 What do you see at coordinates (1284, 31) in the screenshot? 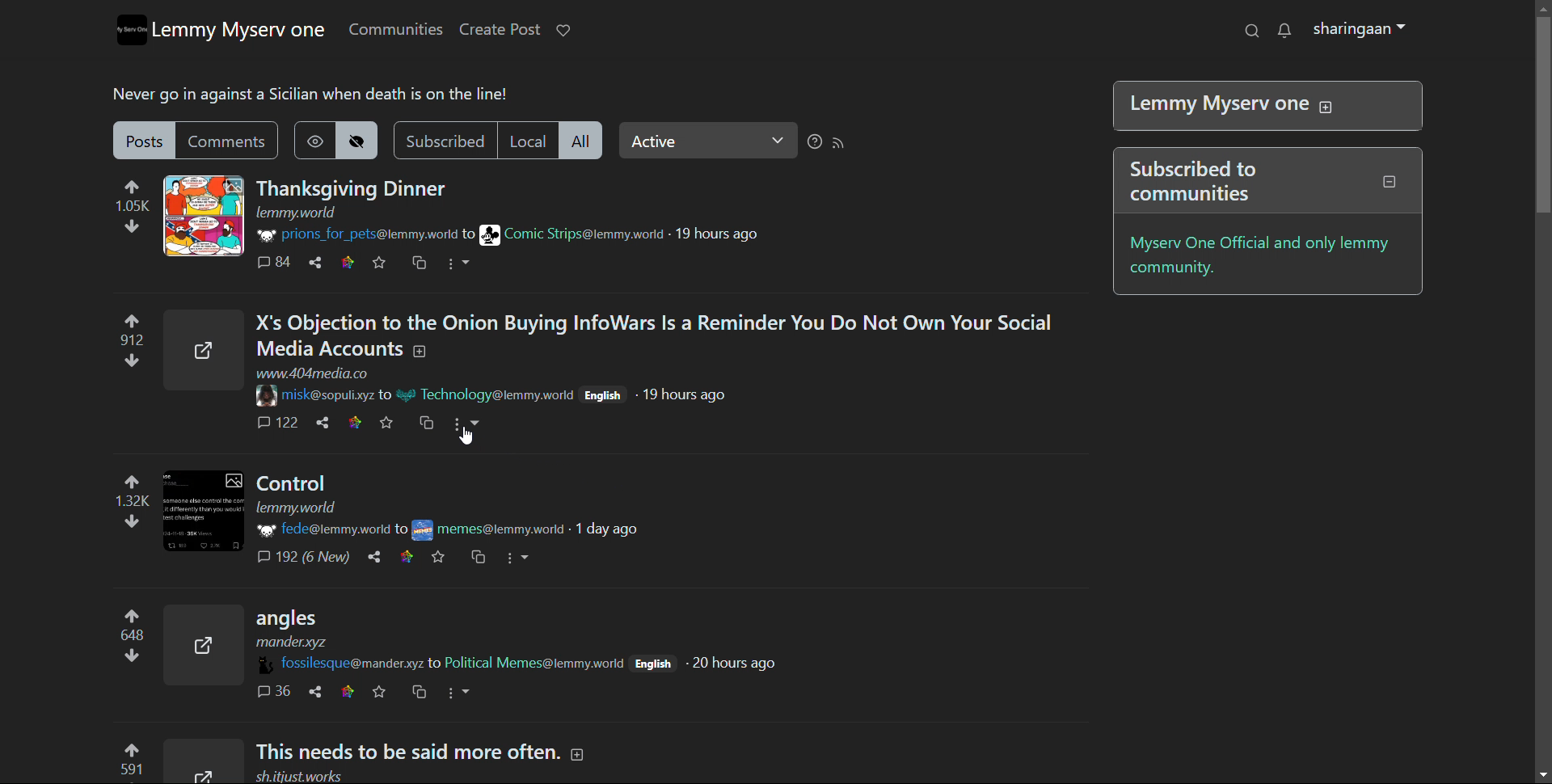
I see `notifications` at bounding box center [1284, 31].